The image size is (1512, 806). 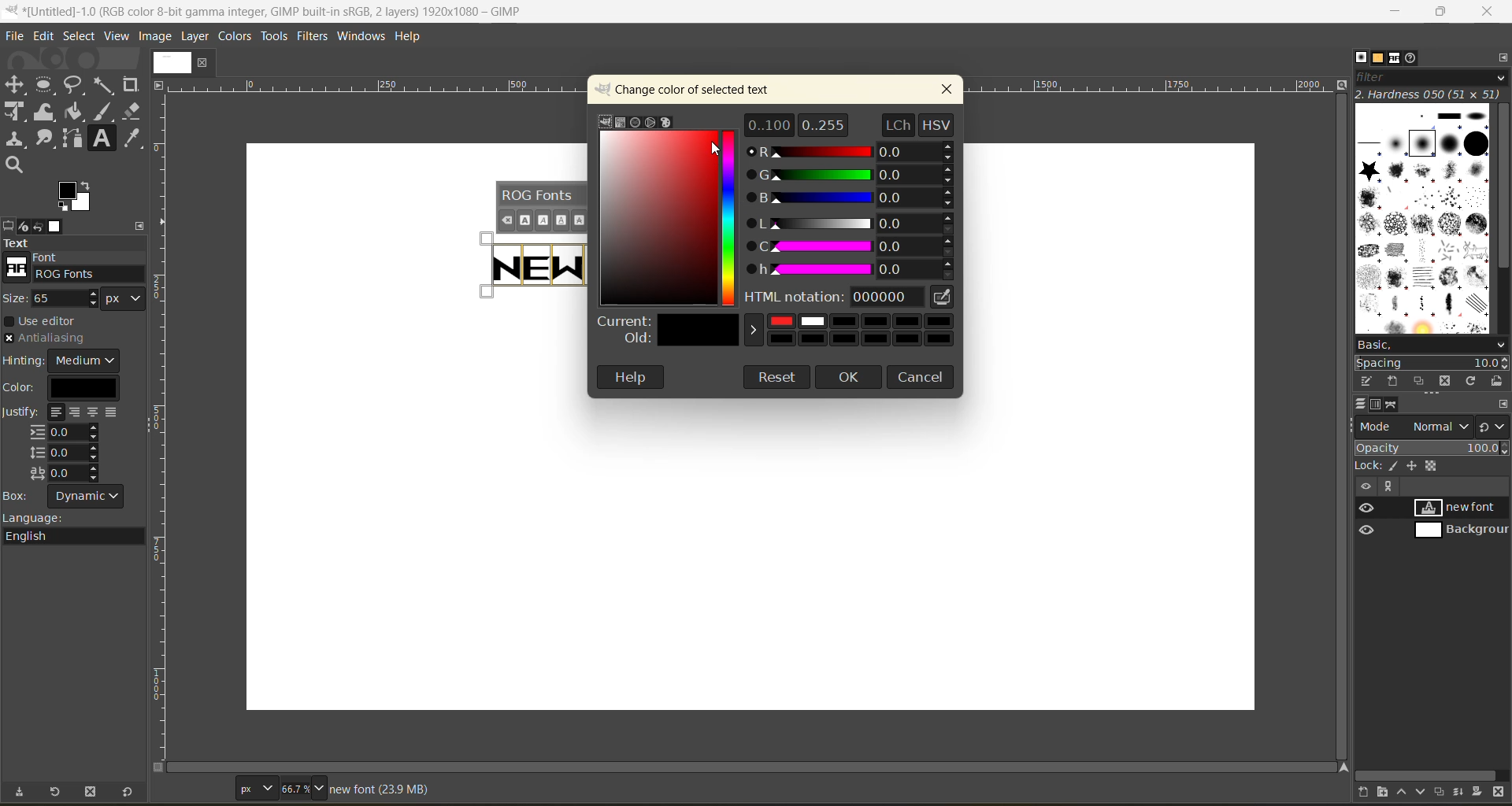 I want to click on help, so click(x=631, y=377).